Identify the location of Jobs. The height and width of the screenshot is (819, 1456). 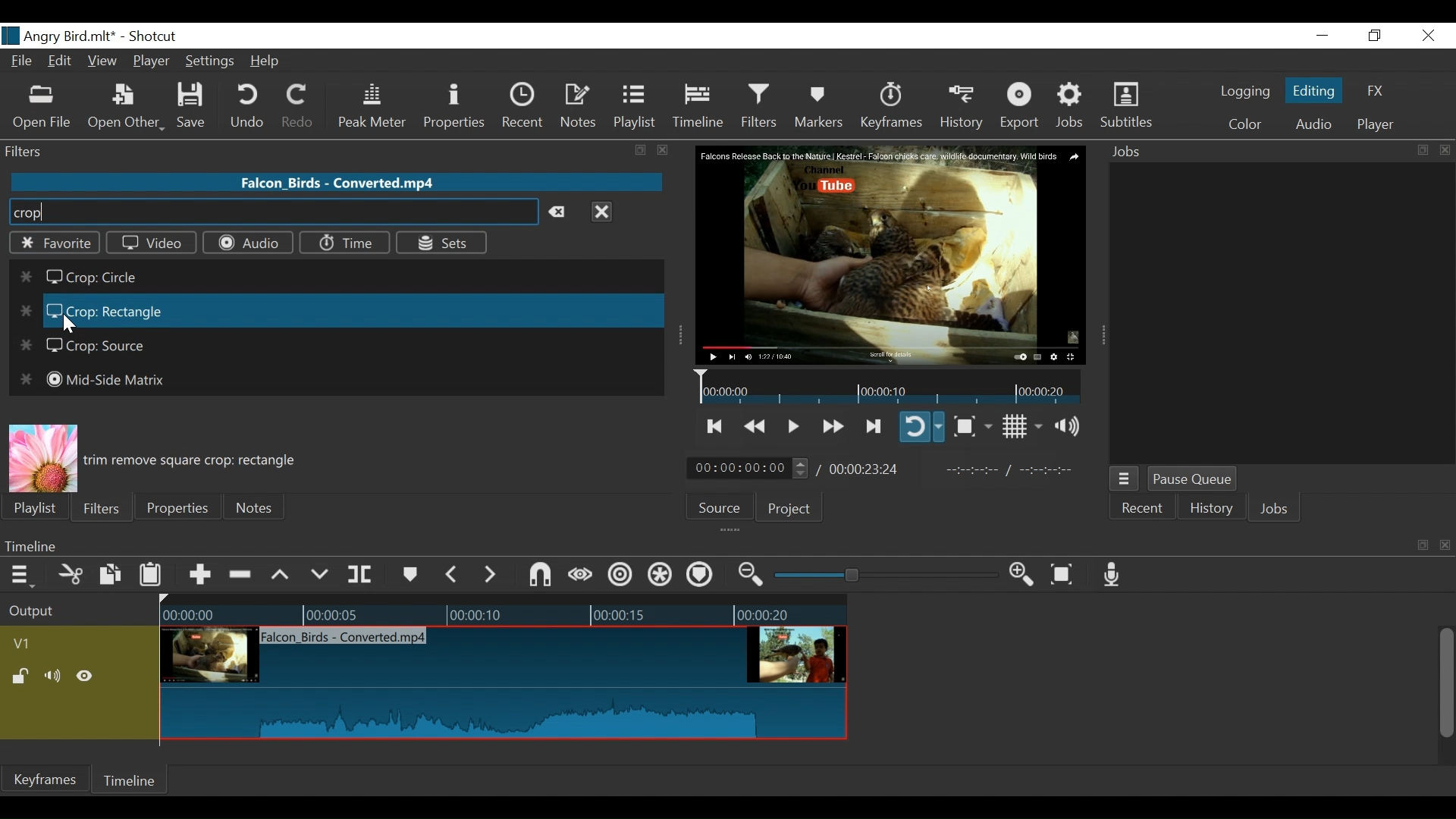
(1275, 510).